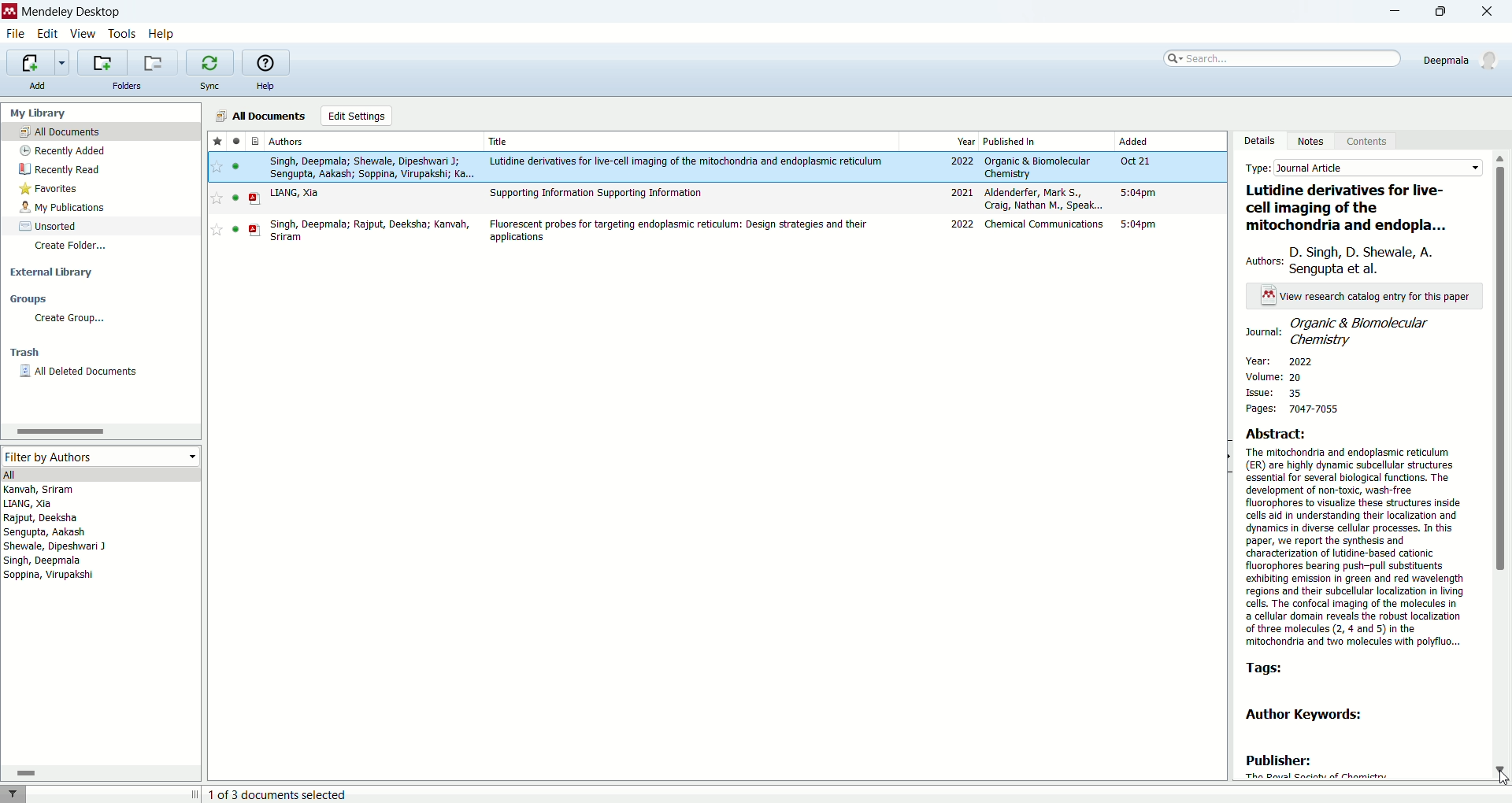 This screenshot has height=803, width=1512. I want to click on journal: organic & biomolecular chemistry, so click(1355, 331).